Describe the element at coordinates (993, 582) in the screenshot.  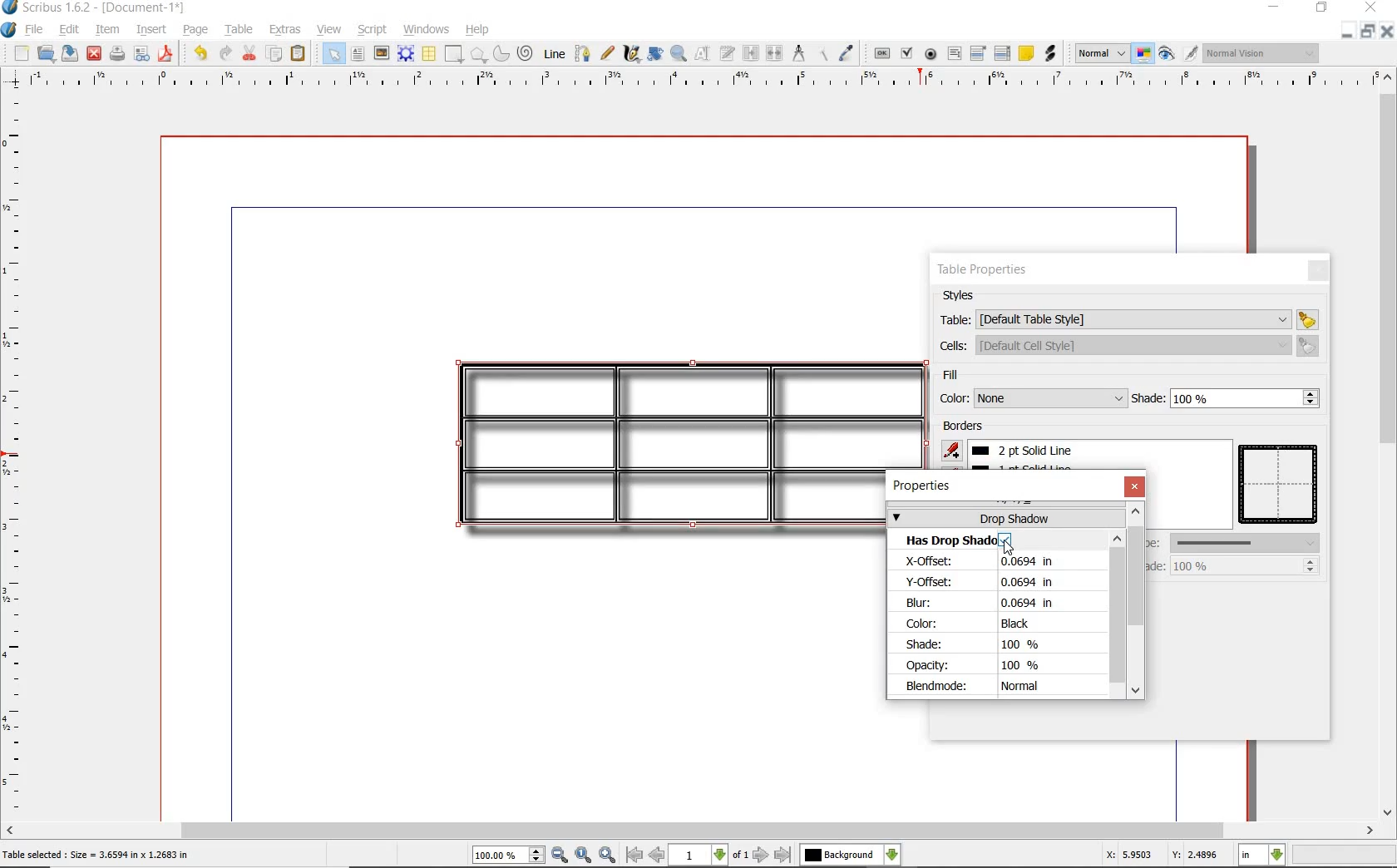
I see `Y-Offset: 0.0694 in` at that location.